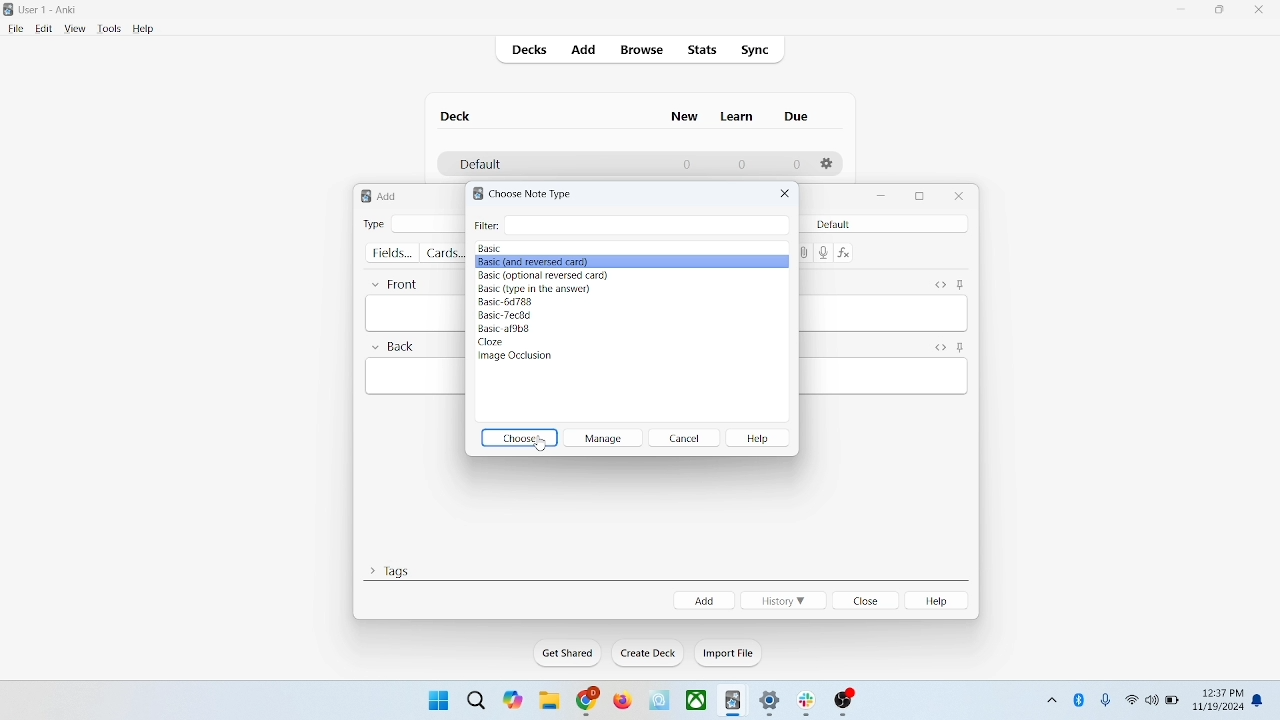 The width and height of the screenshot is (1280, 720). What do you see at coordinates (939, 348) in the screenshot?
I see `HTML editor` at bounding box center [939, 348].